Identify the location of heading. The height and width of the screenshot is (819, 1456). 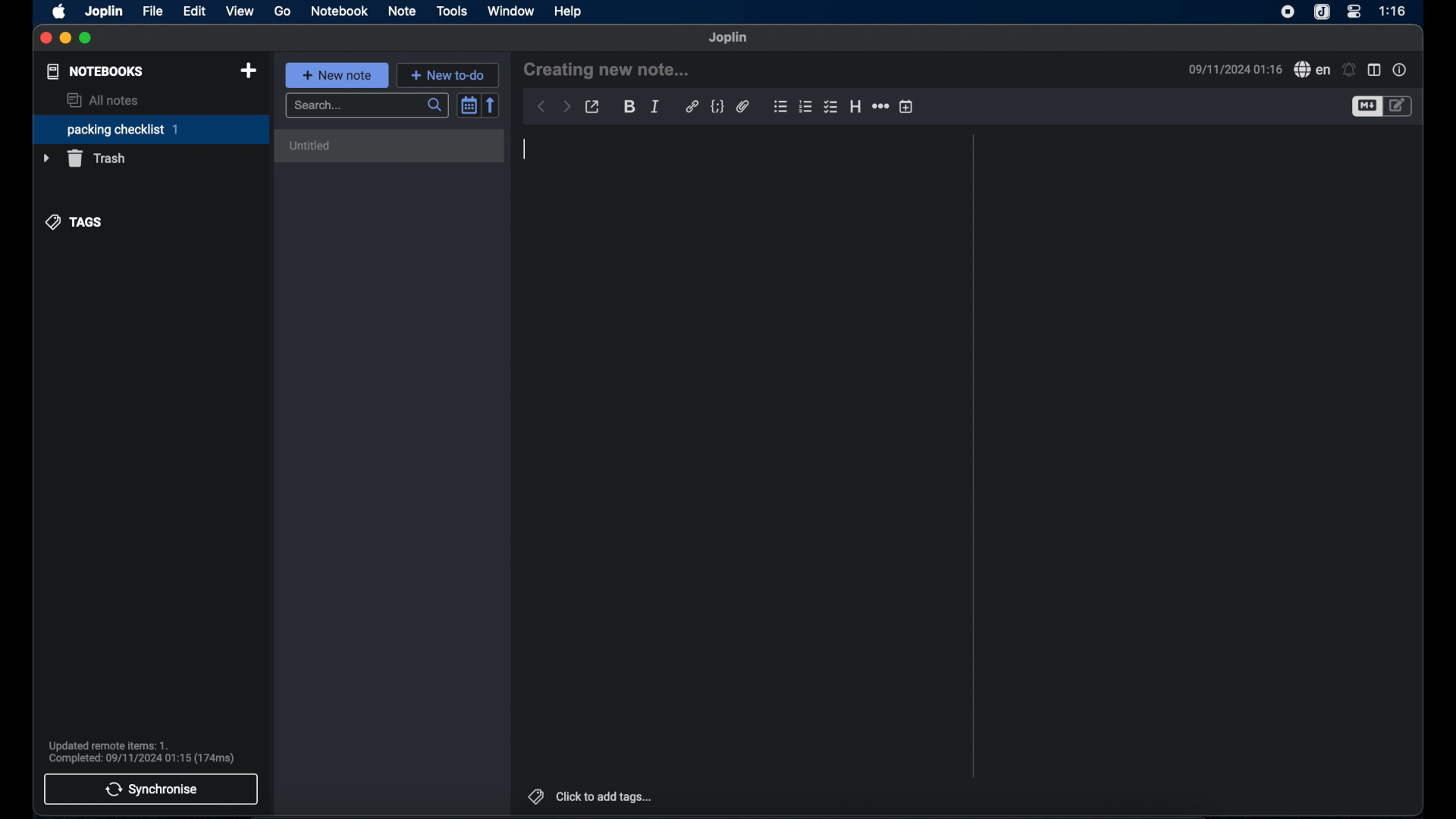
(855, 106).